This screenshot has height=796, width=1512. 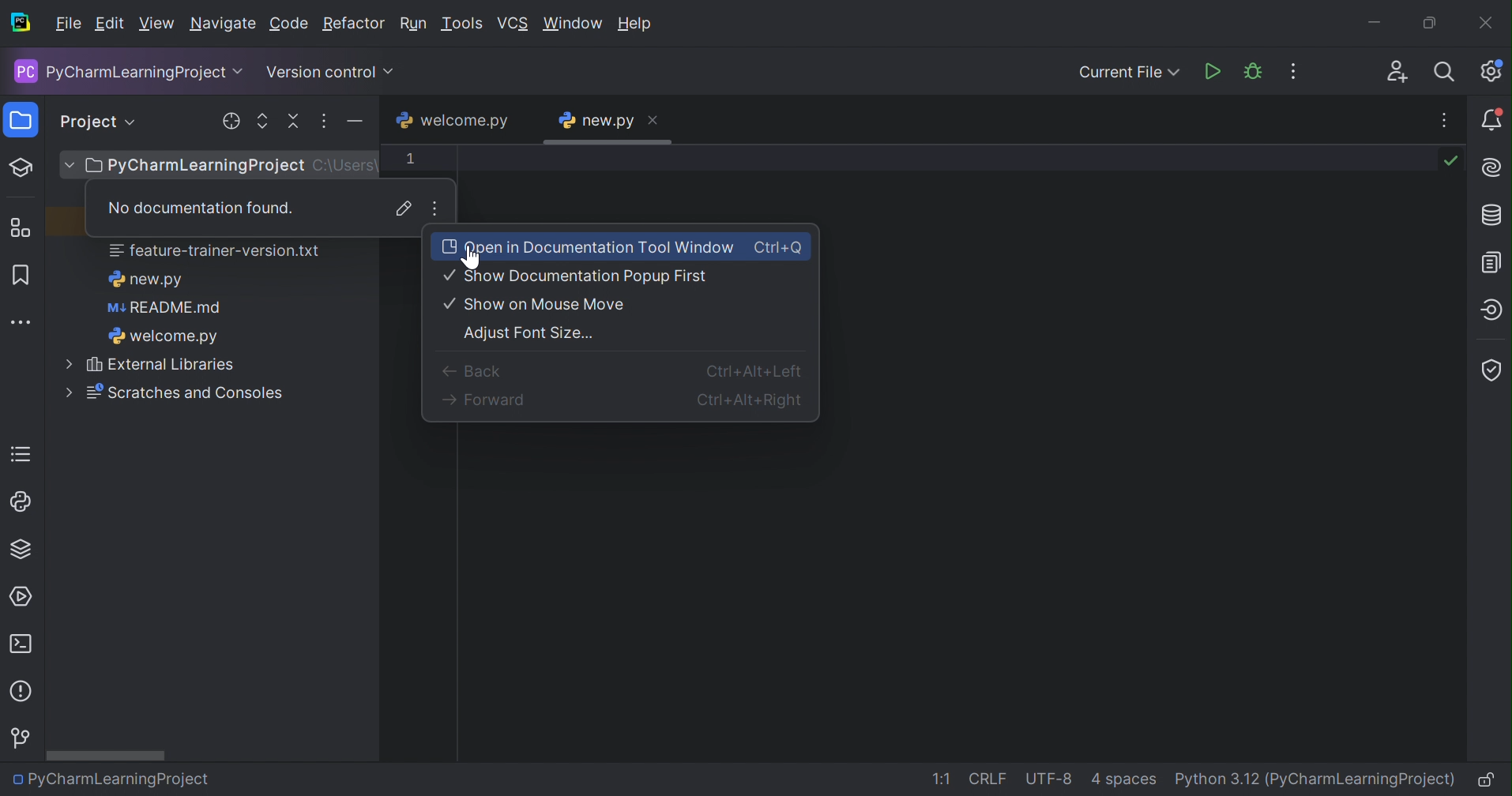 What do you see at coordinates (25, 645) in the screenshot?
I see `Terminal` at bounding box center [25, 645].